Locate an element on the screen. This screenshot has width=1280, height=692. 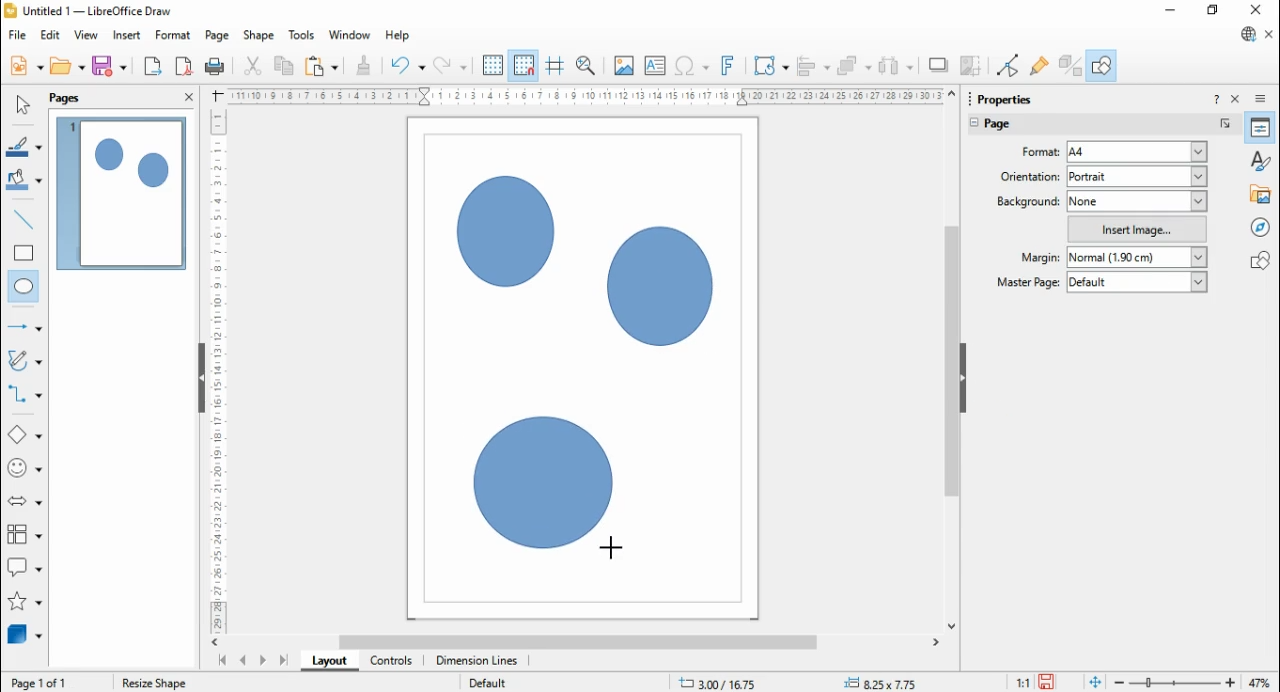
file is located at coordinates (19, 35).